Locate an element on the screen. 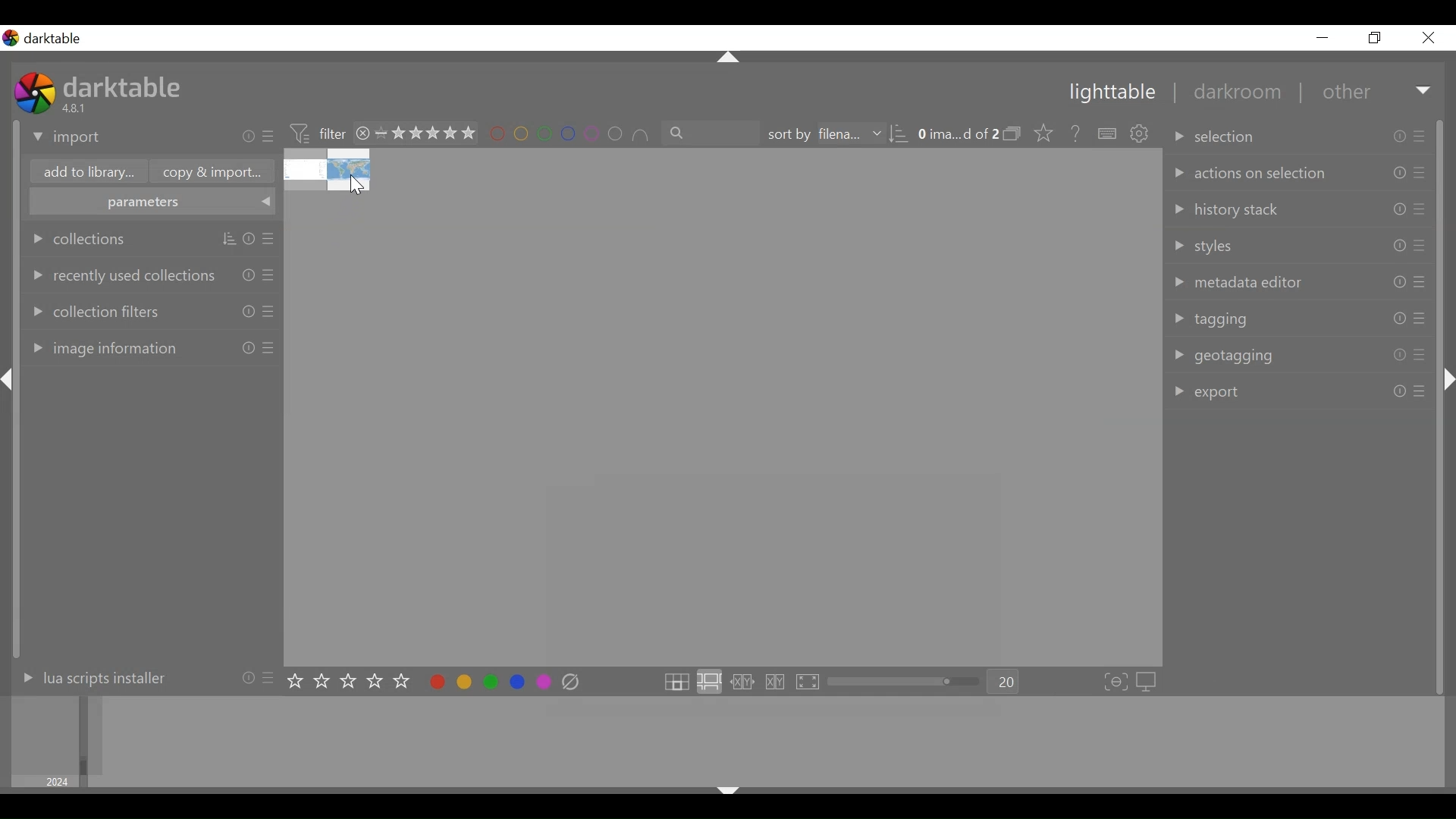 The height and width of the screenshot is (819, 1456). darkroom is located at coordinates (1238, 91).